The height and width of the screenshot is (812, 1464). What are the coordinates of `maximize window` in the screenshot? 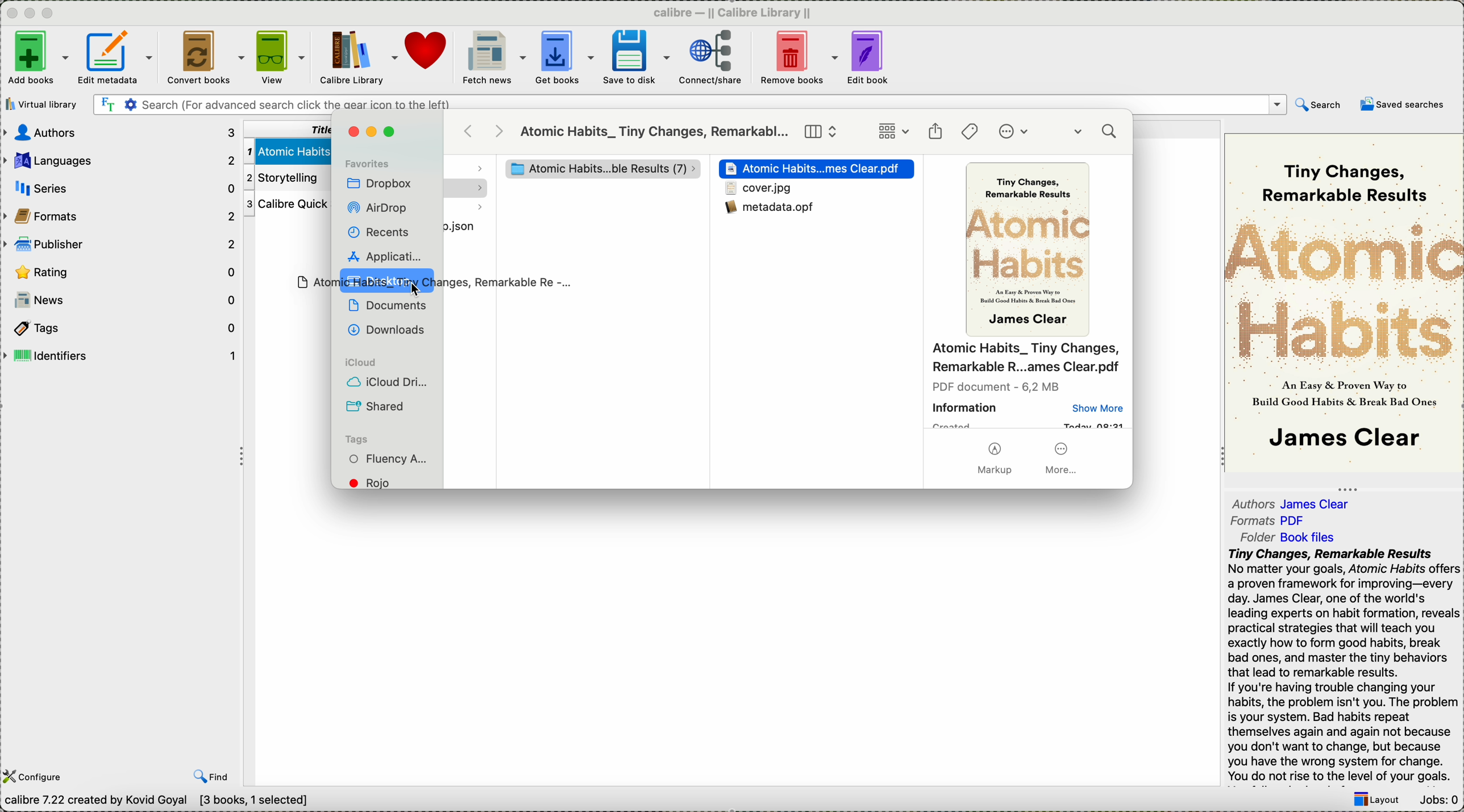 It's located at (392, 132).